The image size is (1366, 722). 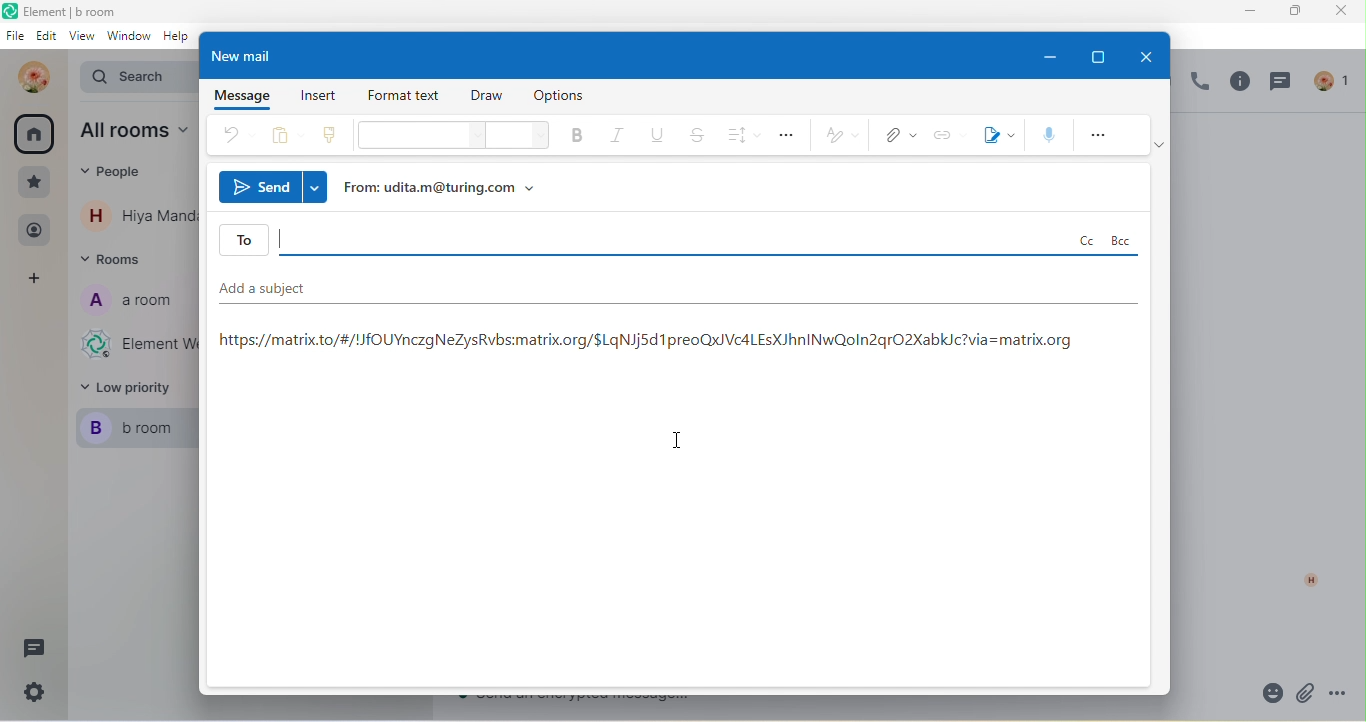 What do you see at coordinates (128, 41) in the screenshot?
I see `window` at bounding box center [128, 41].